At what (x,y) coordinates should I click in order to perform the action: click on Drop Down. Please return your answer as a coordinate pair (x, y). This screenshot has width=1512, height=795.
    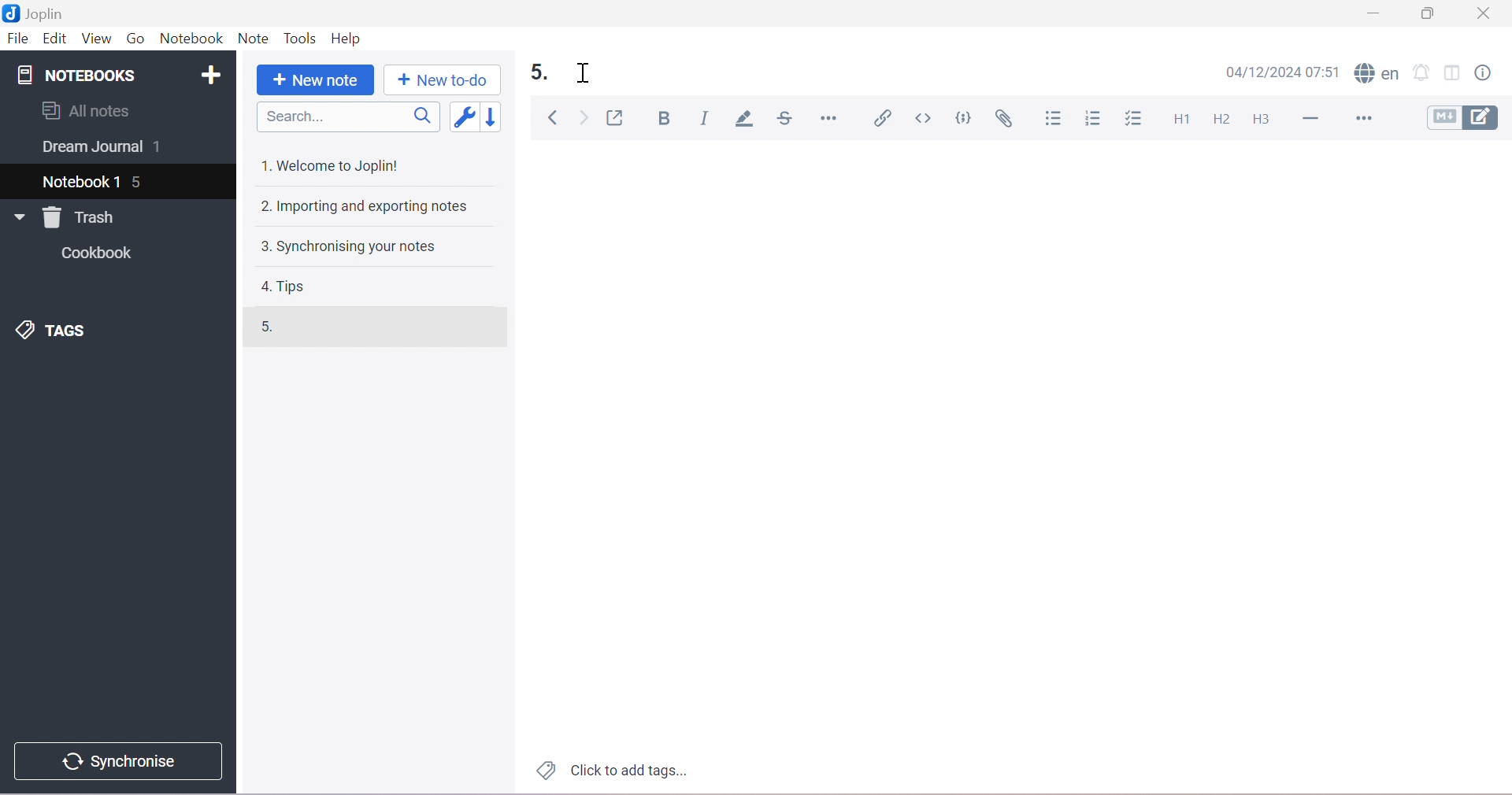
    Looking at the image, I should click on (16, 217).